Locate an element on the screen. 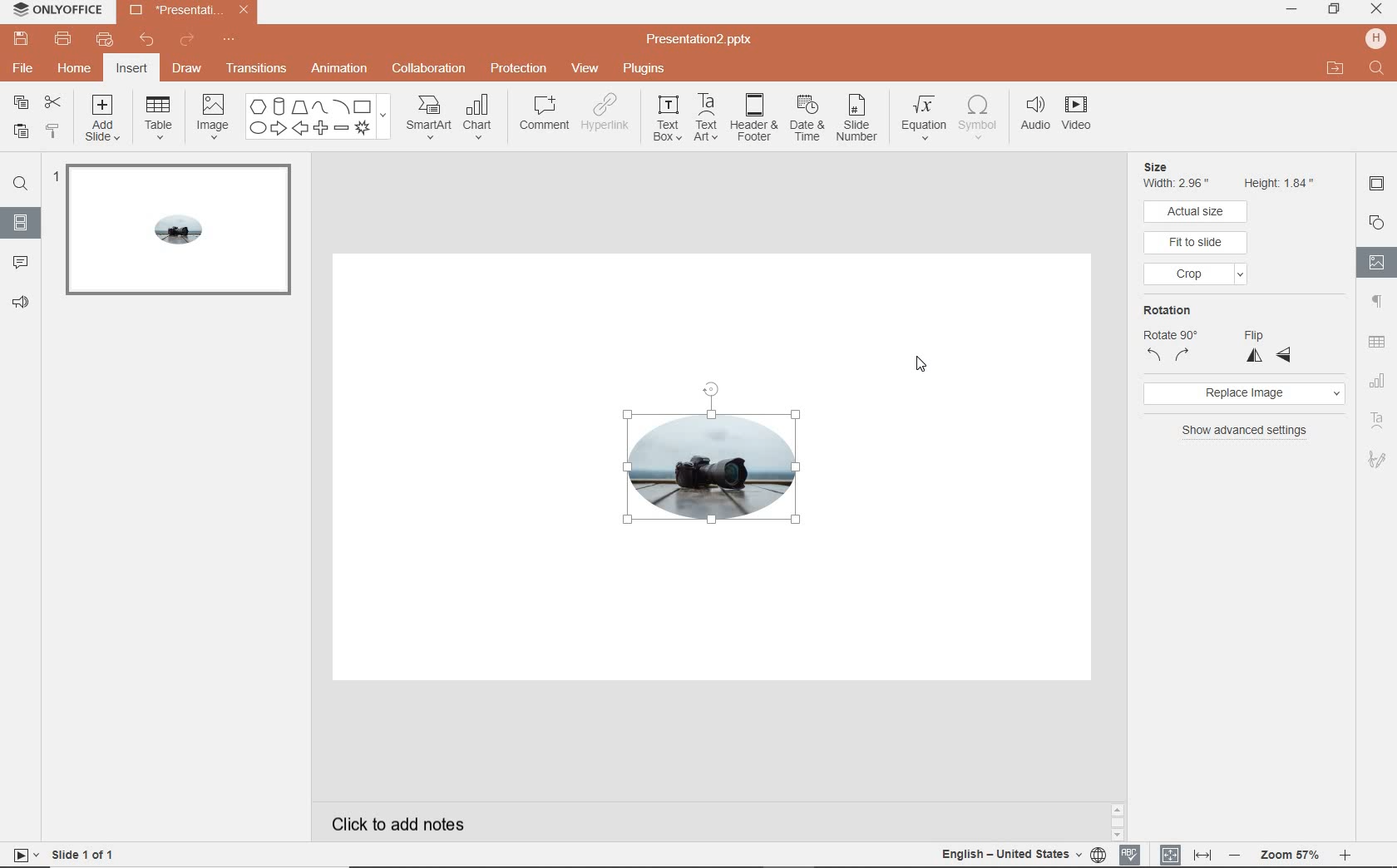  flip is located at coordinates (1268, 343).